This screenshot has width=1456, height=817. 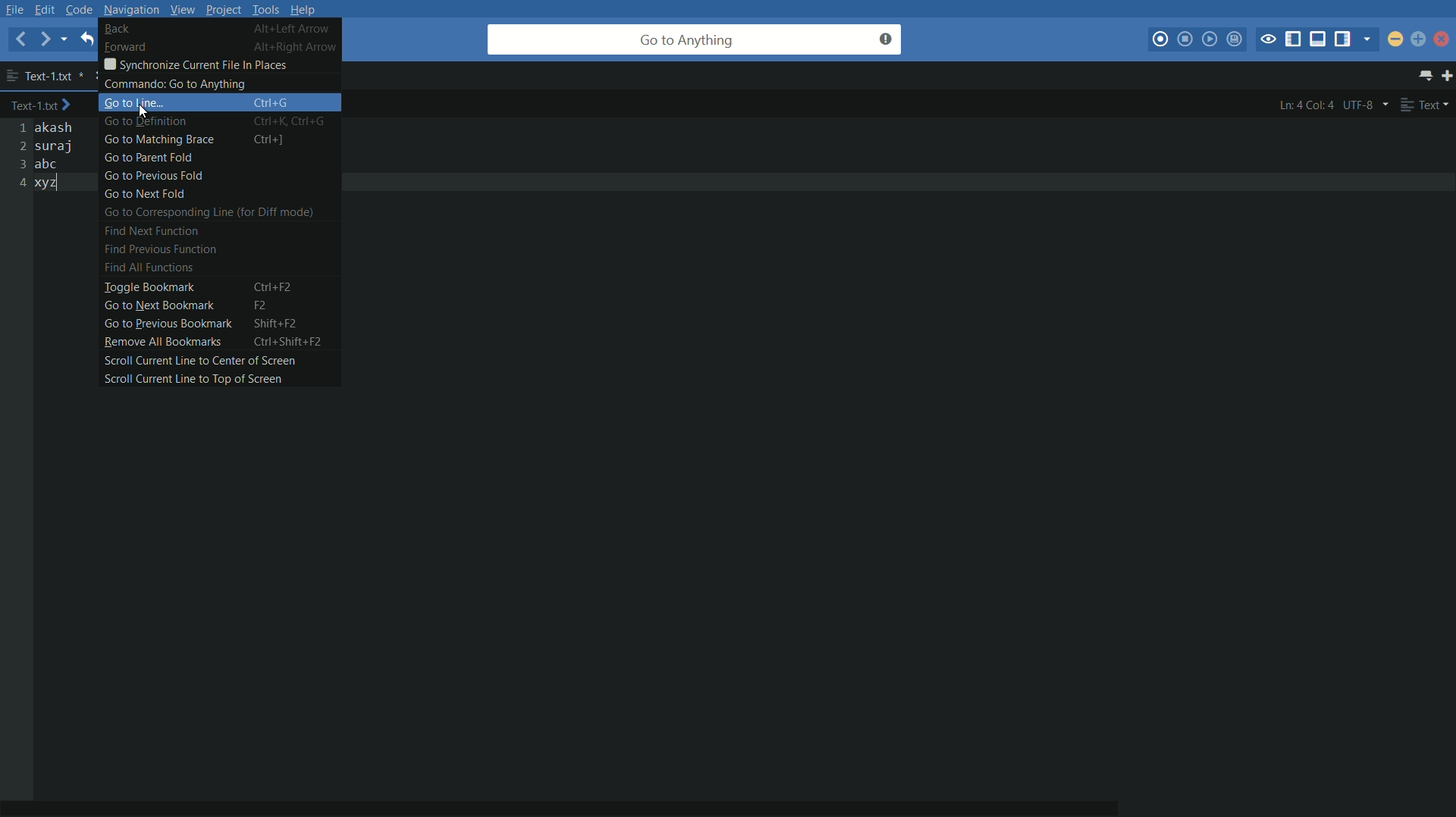 What do you see at coordinates (152, 121) in the screenshot?
I see `Go to Definition` at bounding box center [152, 121].